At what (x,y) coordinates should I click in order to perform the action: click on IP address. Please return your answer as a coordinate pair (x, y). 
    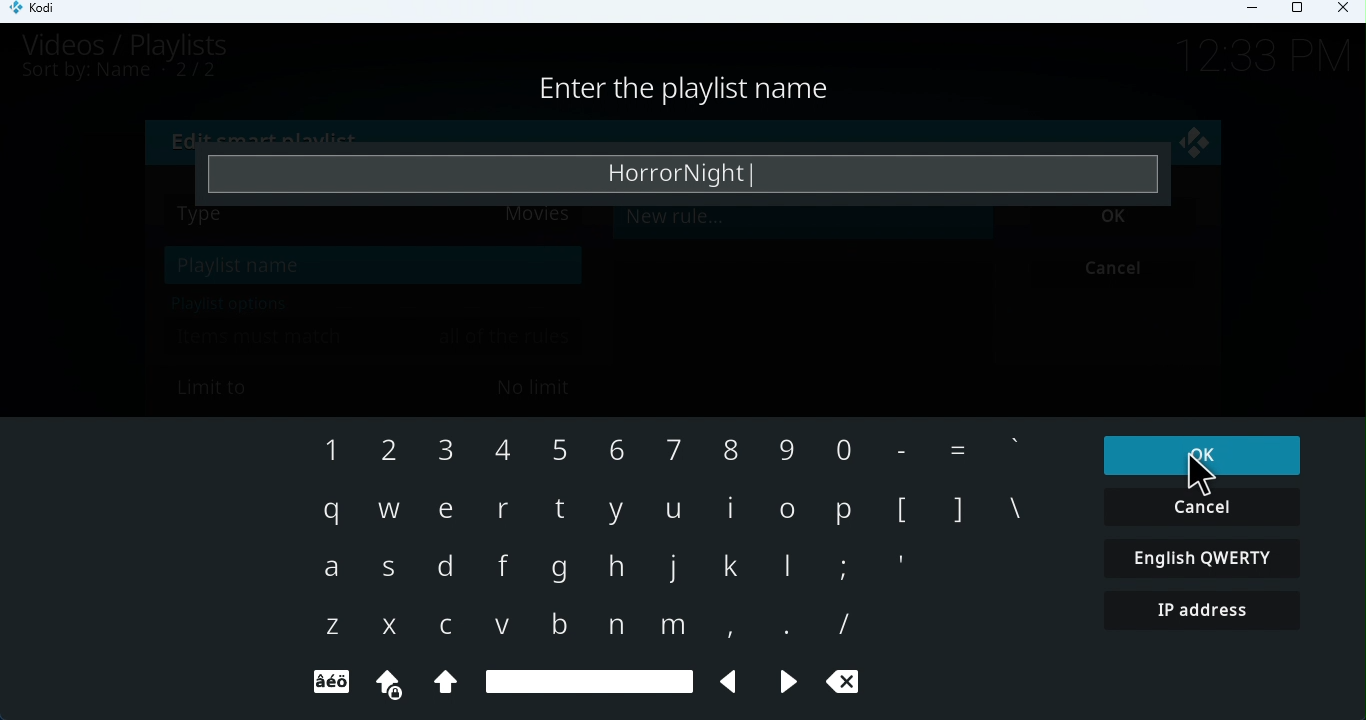
    Looking at the image, I should click on (1210, 613).